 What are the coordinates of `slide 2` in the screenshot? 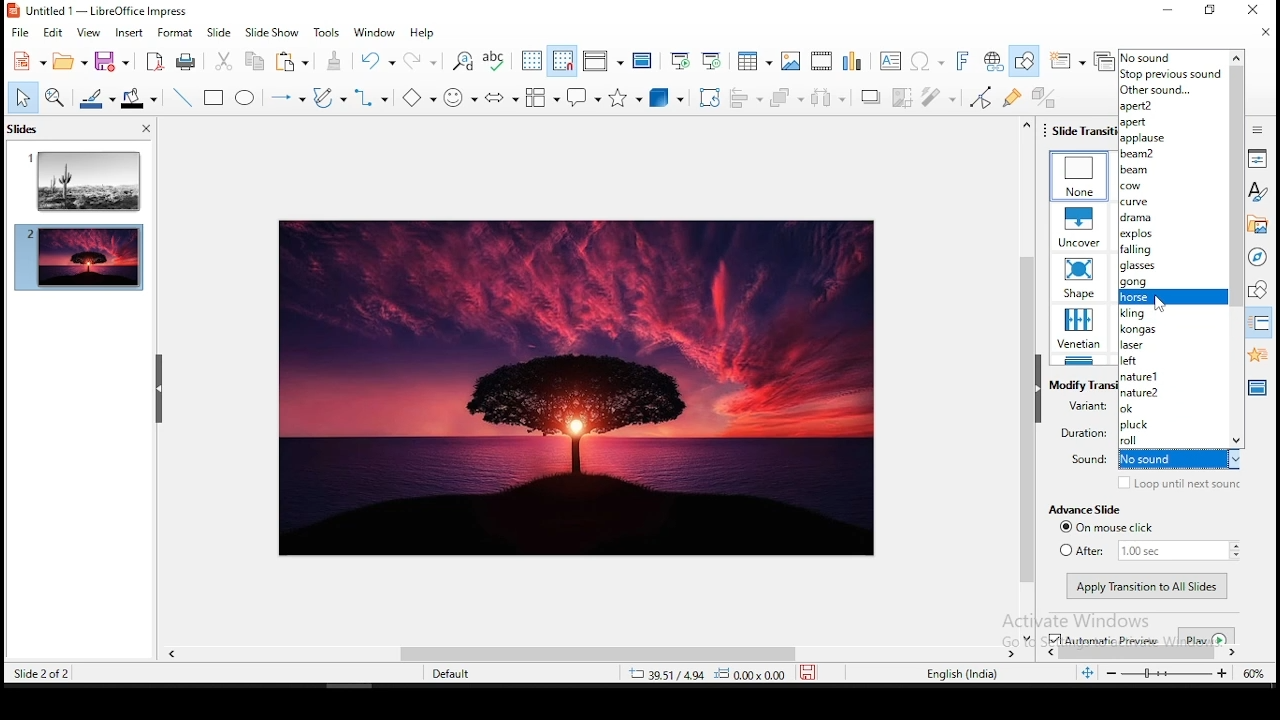 It's located at (78, 261).